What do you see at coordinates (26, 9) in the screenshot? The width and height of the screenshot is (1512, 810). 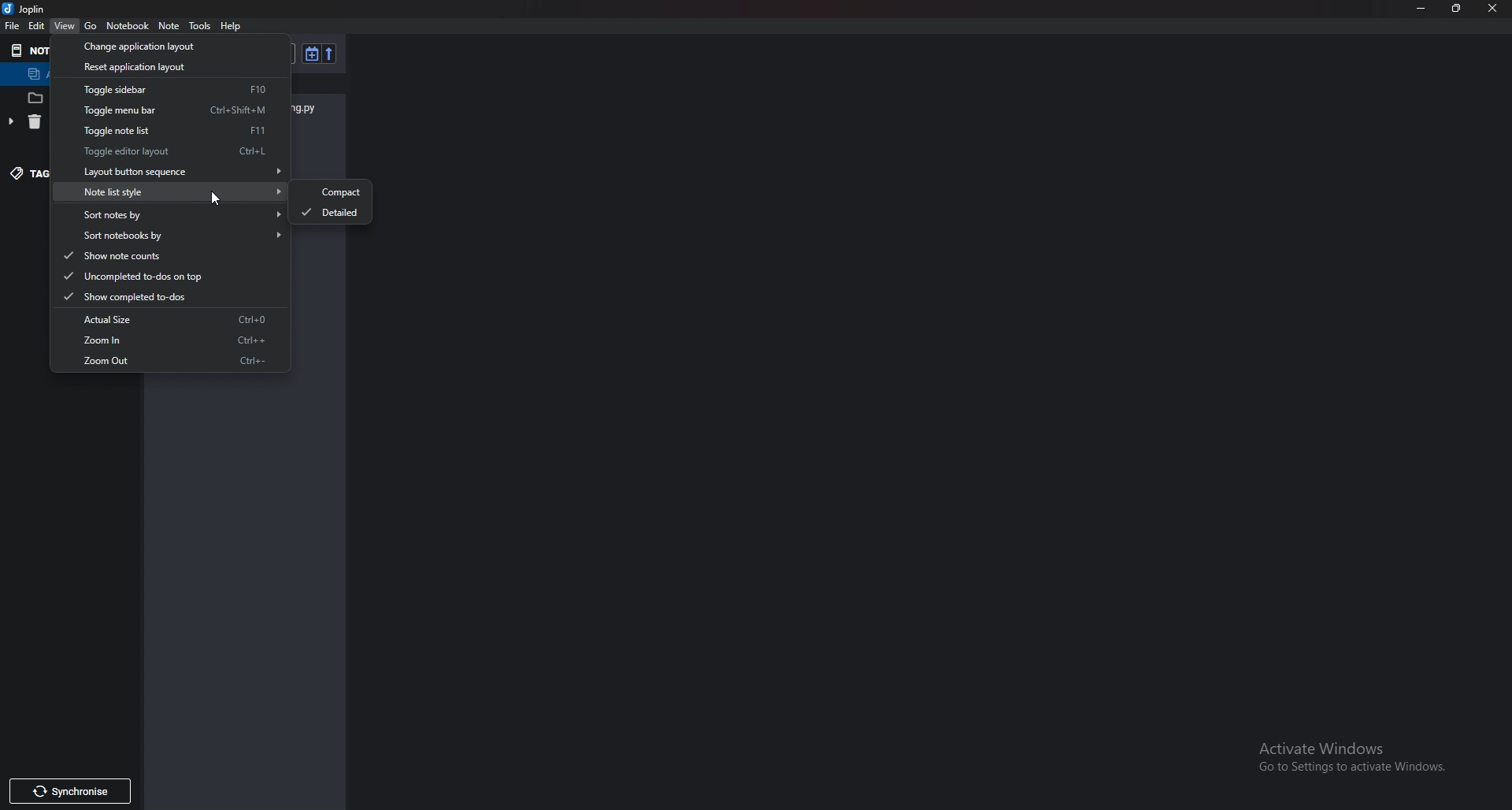 I see `joplin` at bounding box center [26, 9].